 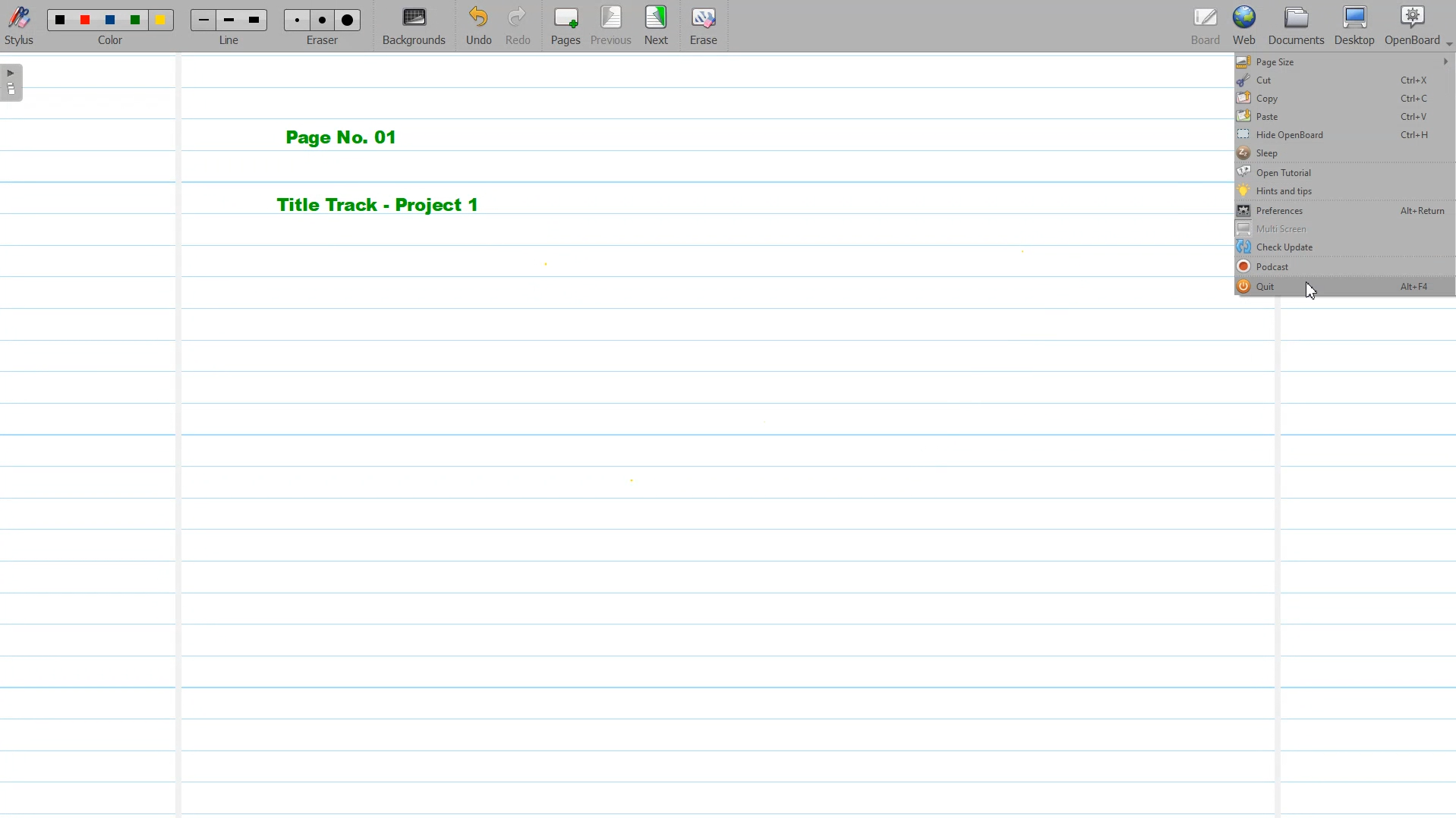 What do you see at coordinates (612, 26) in the screenshot?
I see `Previous` at bounding box center [612, 26].